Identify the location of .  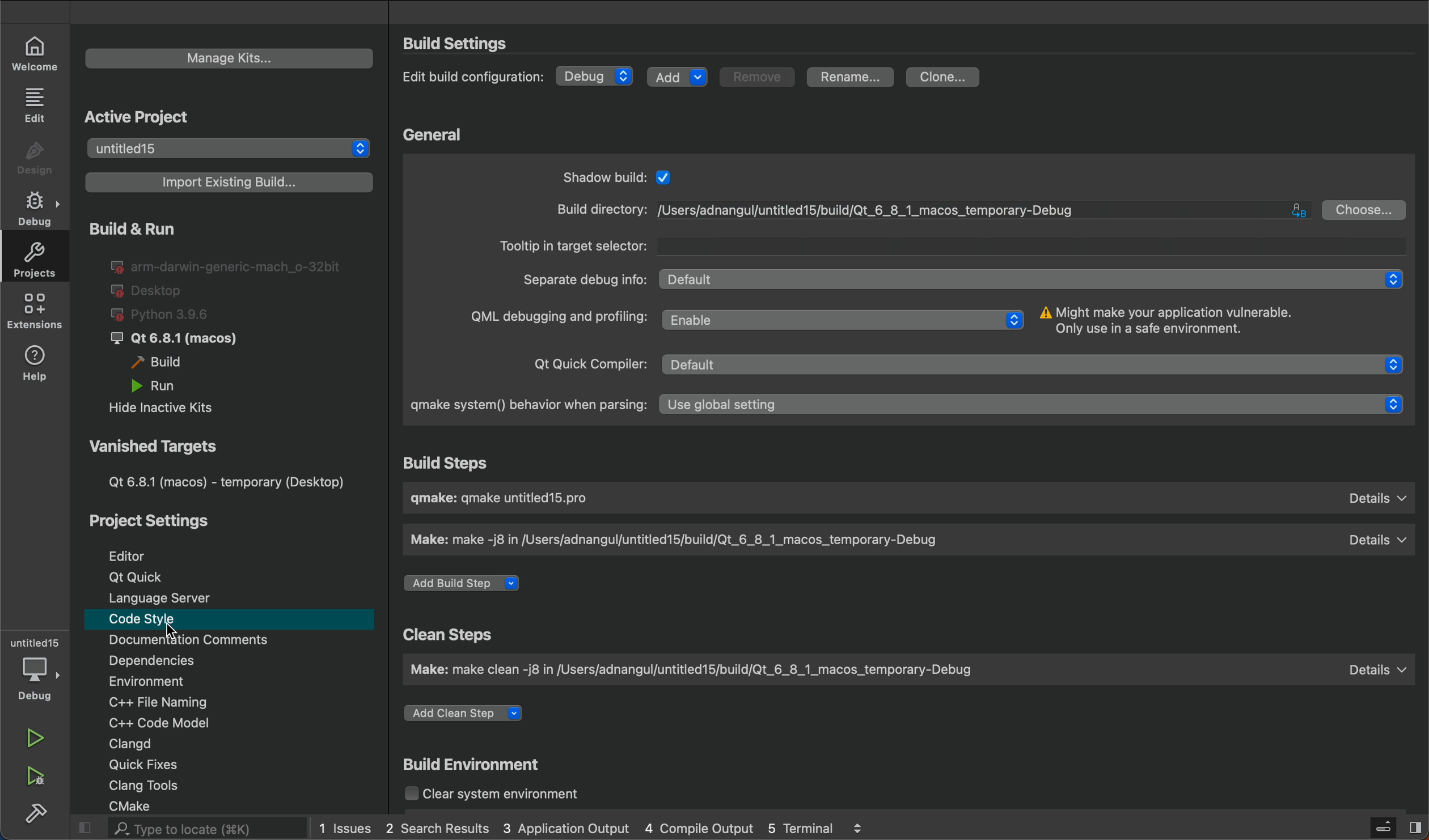
(470, 714).